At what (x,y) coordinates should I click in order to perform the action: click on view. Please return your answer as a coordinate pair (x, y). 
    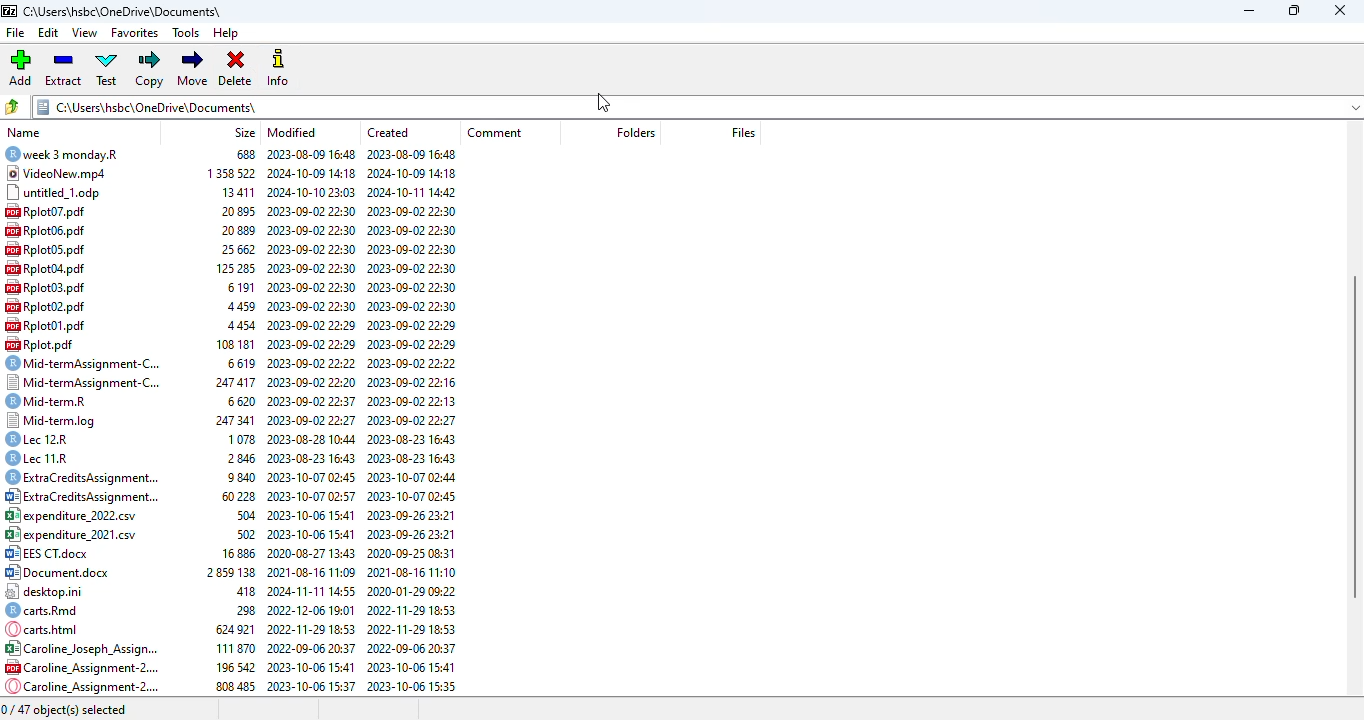
    Looking at the image, I should click on (86, 33).